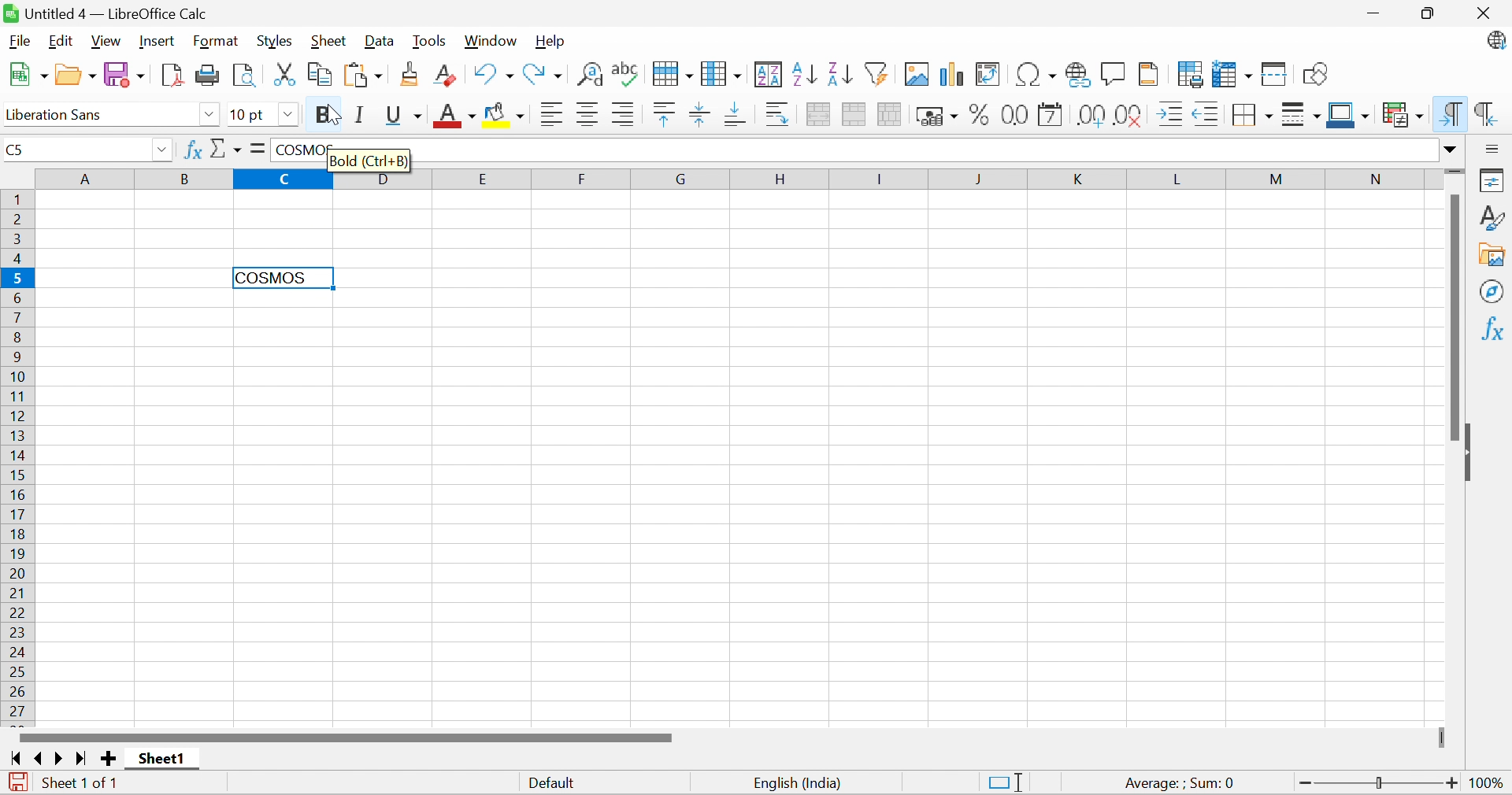 This screenshot has width=1512, height=795. I want to click on English (India), so click(801, 782).